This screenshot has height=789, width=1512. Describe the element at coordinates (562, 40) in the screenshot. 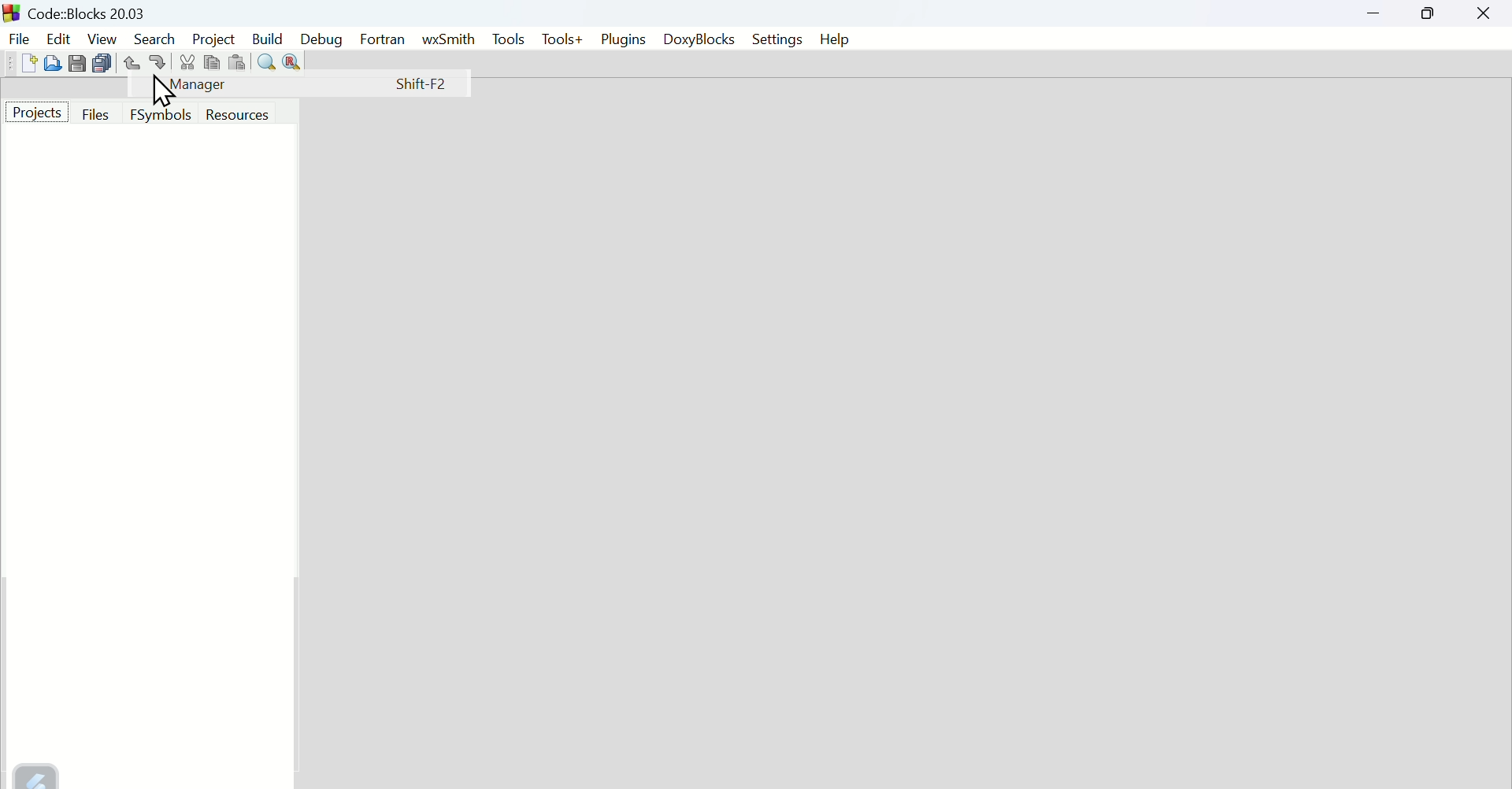

I see `Tools+` at that location.